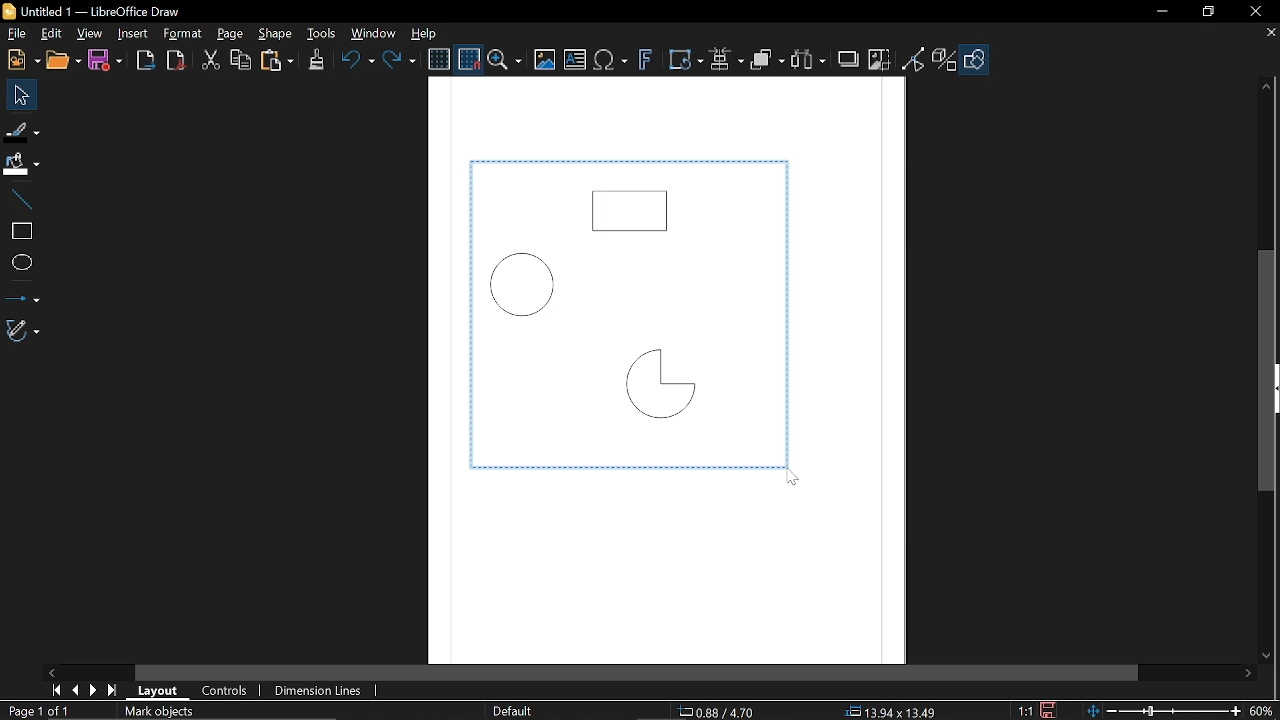 This screenshot has height=720, width=1280. What do you see at coordinates (1046, 709) in the screenshot?
I see `Save` at bounding box center [1046, 709].